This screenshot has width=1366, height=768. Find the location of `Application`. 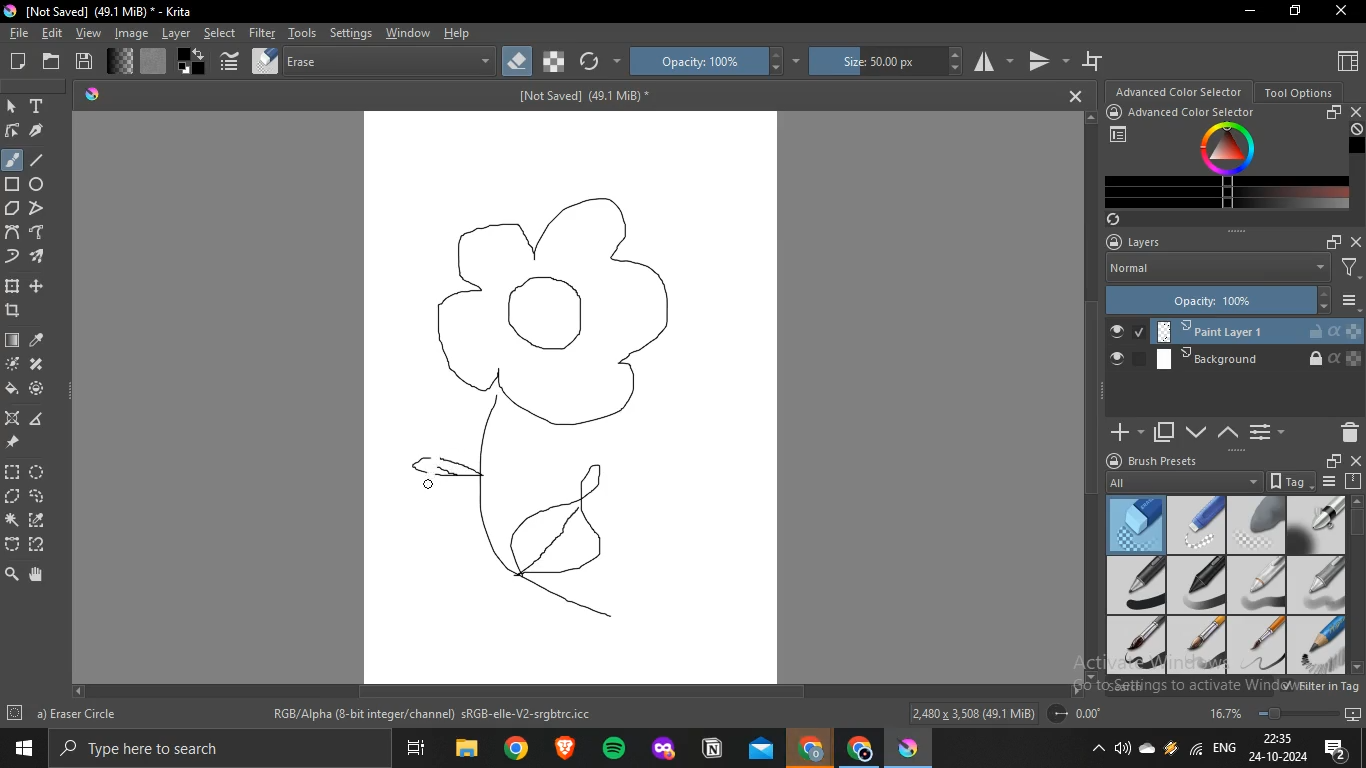

Application is located at coordinates (566, 747).